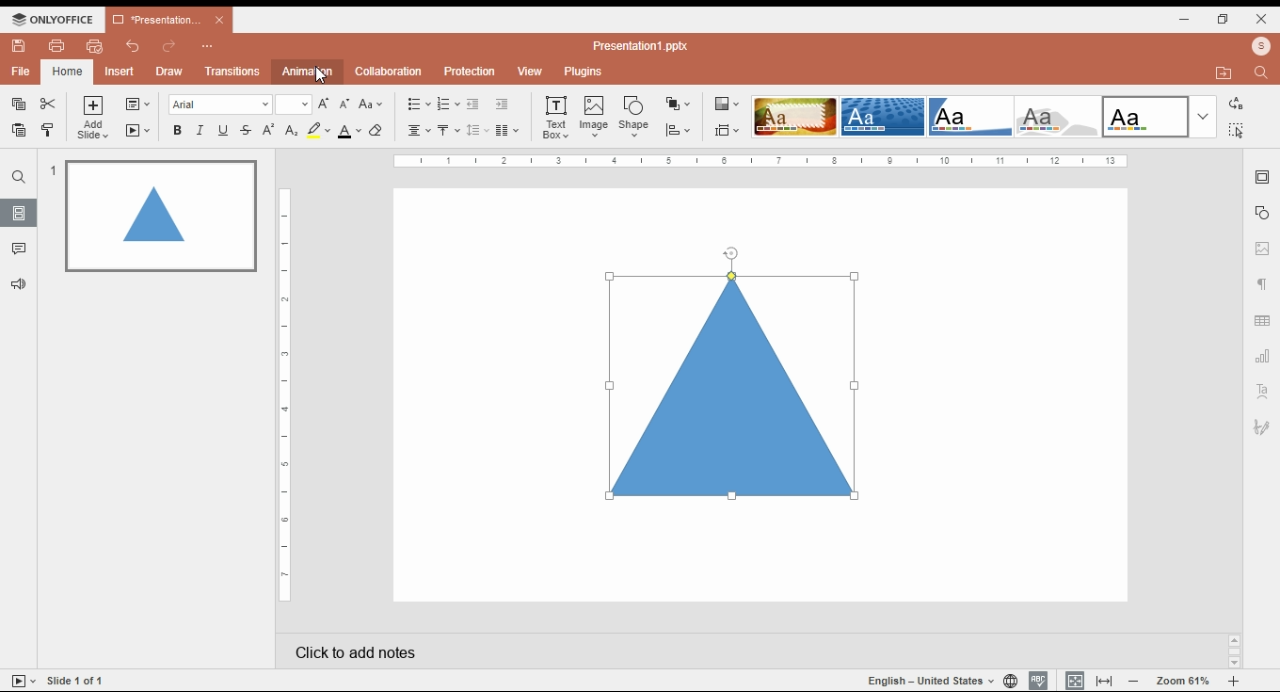 The image size is (1280, 692). What do you see at coordinates (554, 116) in the screenshot?
I see `text box` at bounding box center [554, 116].